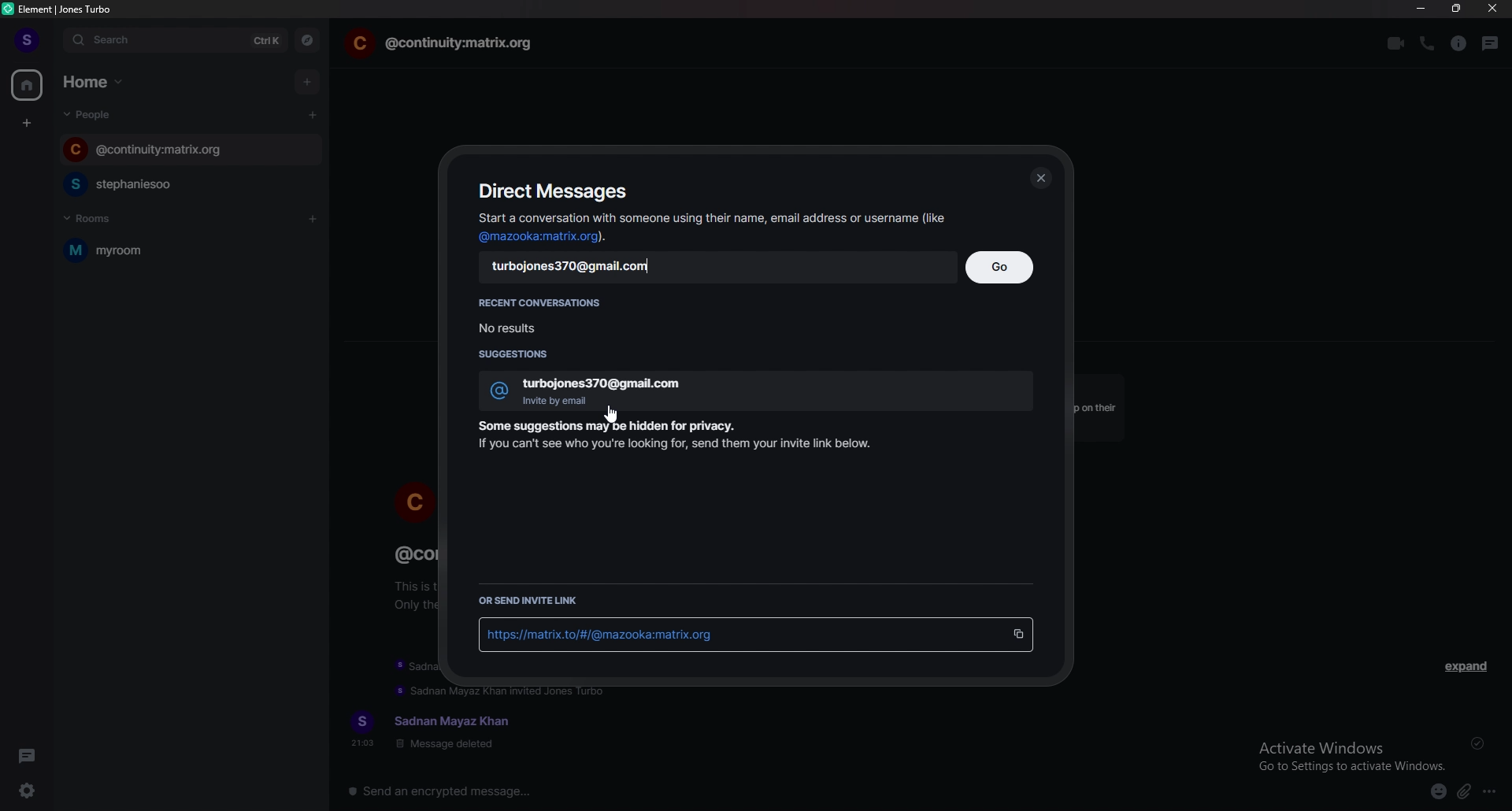  What do you see at coordinates (28, 790) in the screenshot?
I see `quick settings` at bounding box center [28, 790].